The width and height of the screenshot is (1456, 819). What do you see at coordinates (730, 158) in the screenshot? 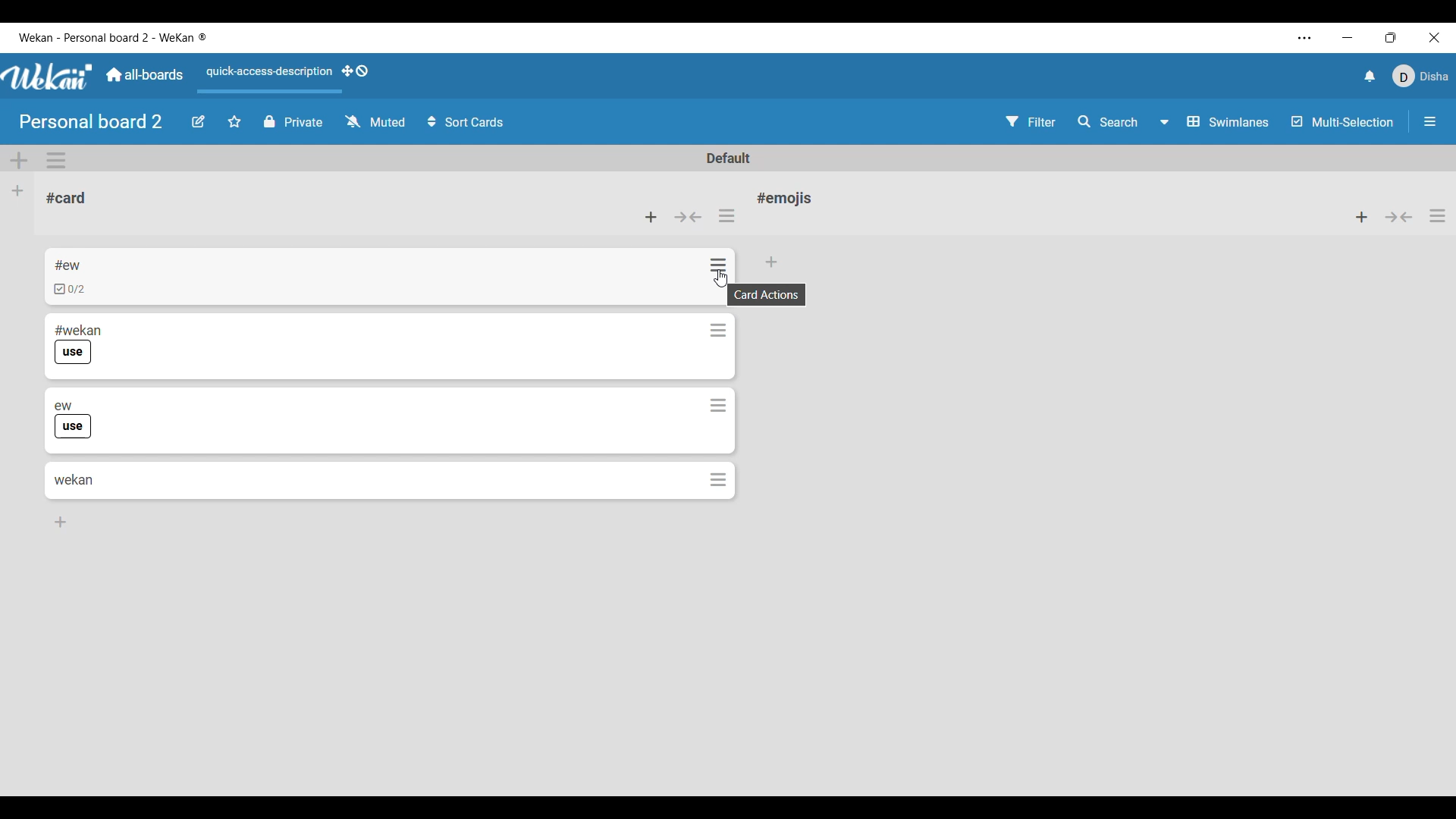
I see `Default swimlane` at bounding box center [730, 158].